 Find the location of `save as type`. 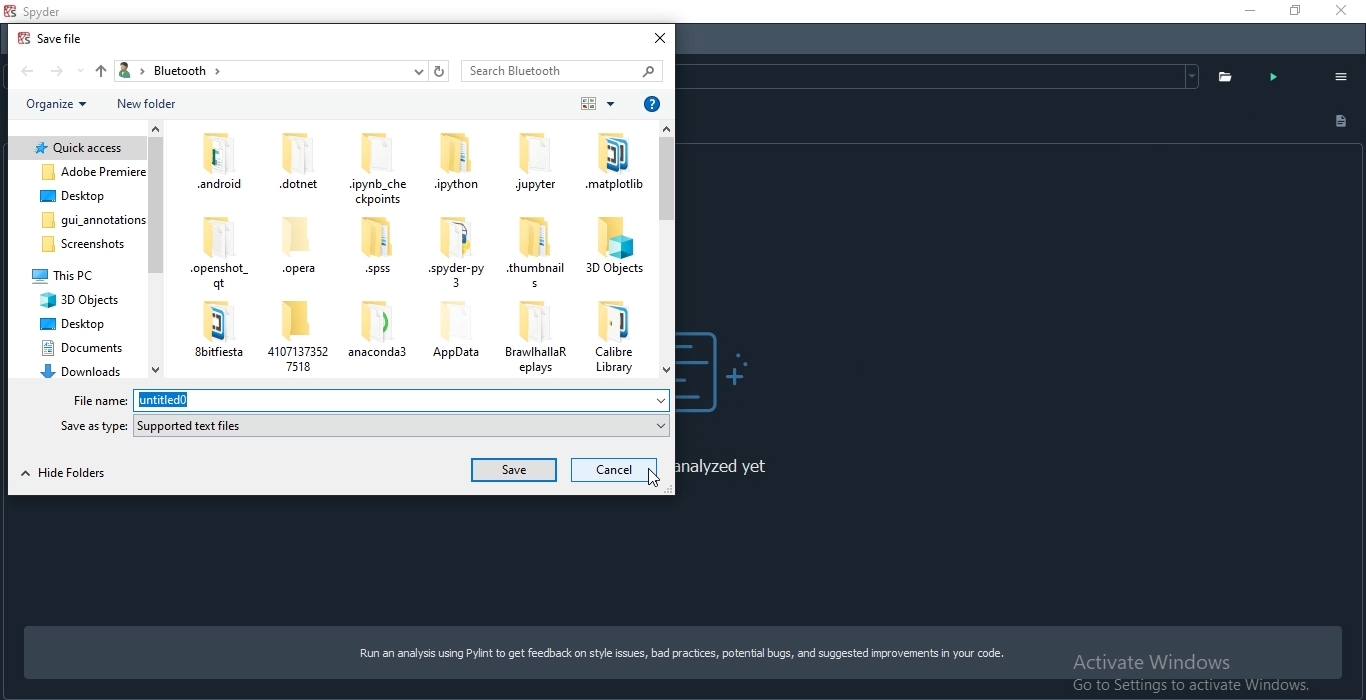

save as type is located at coordinates (360, 427).